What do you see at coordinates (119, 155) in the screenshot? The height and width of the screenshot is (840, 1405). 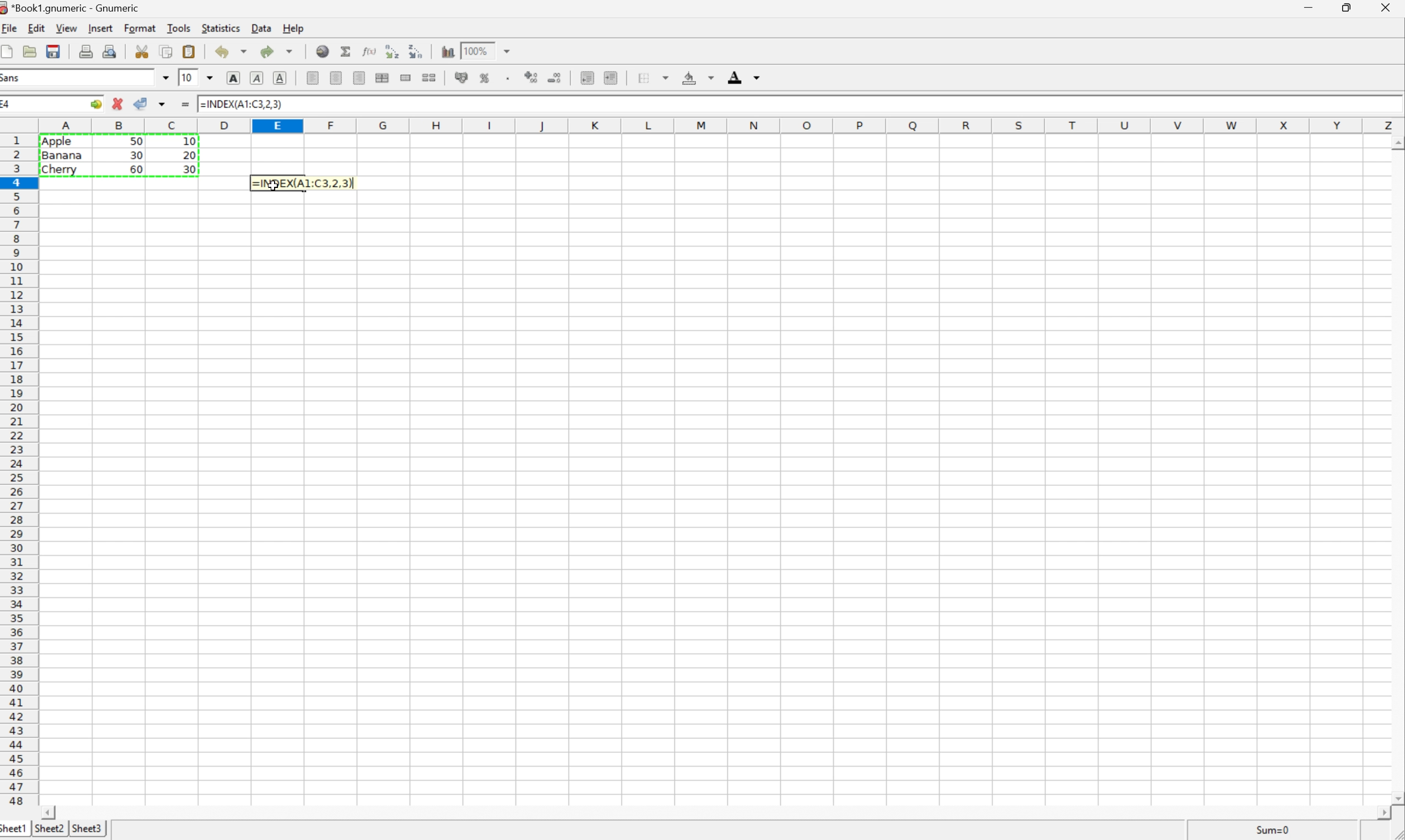 I see `tabular data` at bounding box center [119, 155].